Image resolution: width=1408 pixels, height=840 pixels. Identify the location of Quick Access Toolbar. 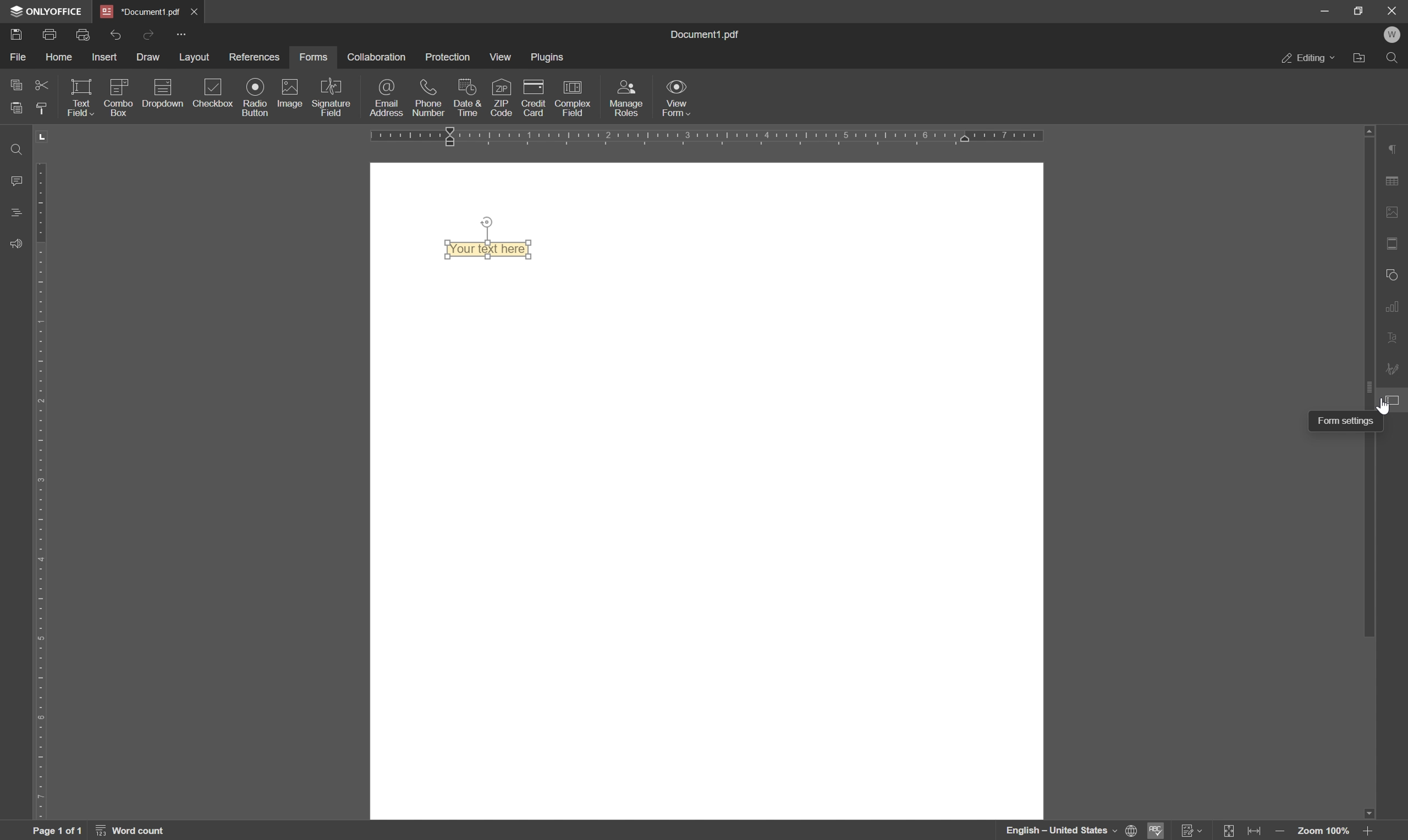
(181, 34).